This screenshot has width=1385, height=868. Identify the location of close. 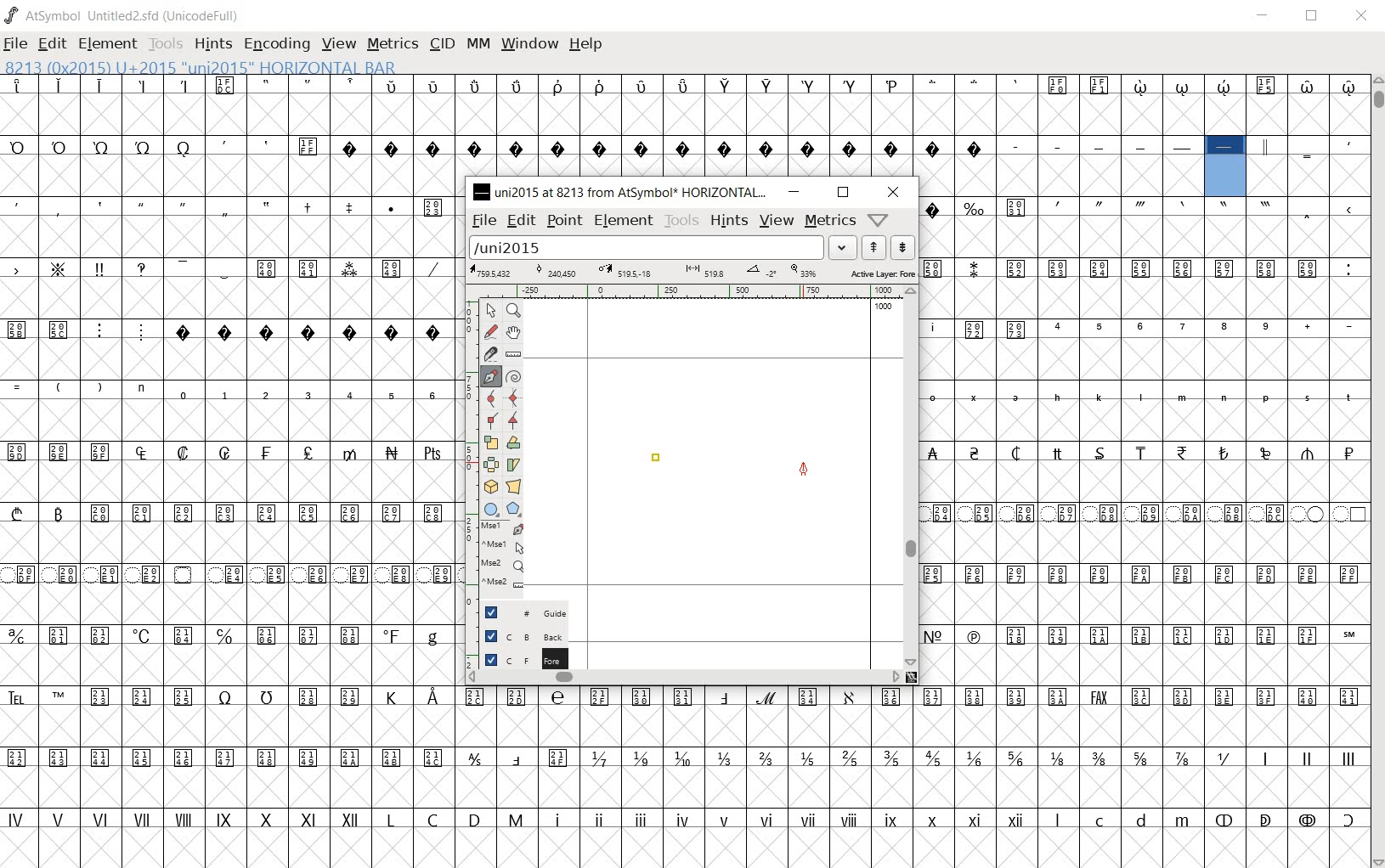
(894, 192).